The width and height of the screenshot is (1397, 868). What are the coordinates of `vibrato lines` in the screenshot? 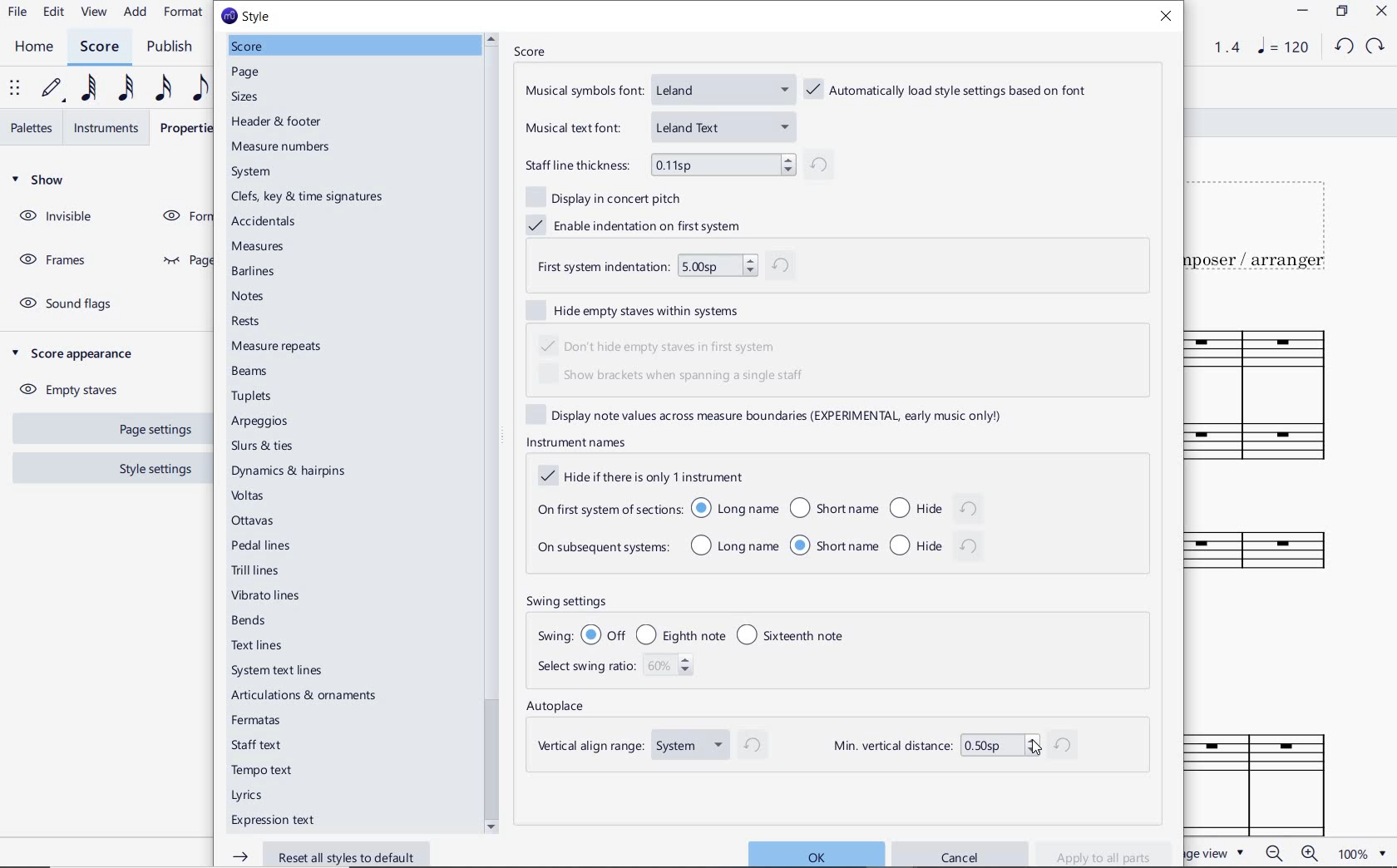 It's located at (264, 598).